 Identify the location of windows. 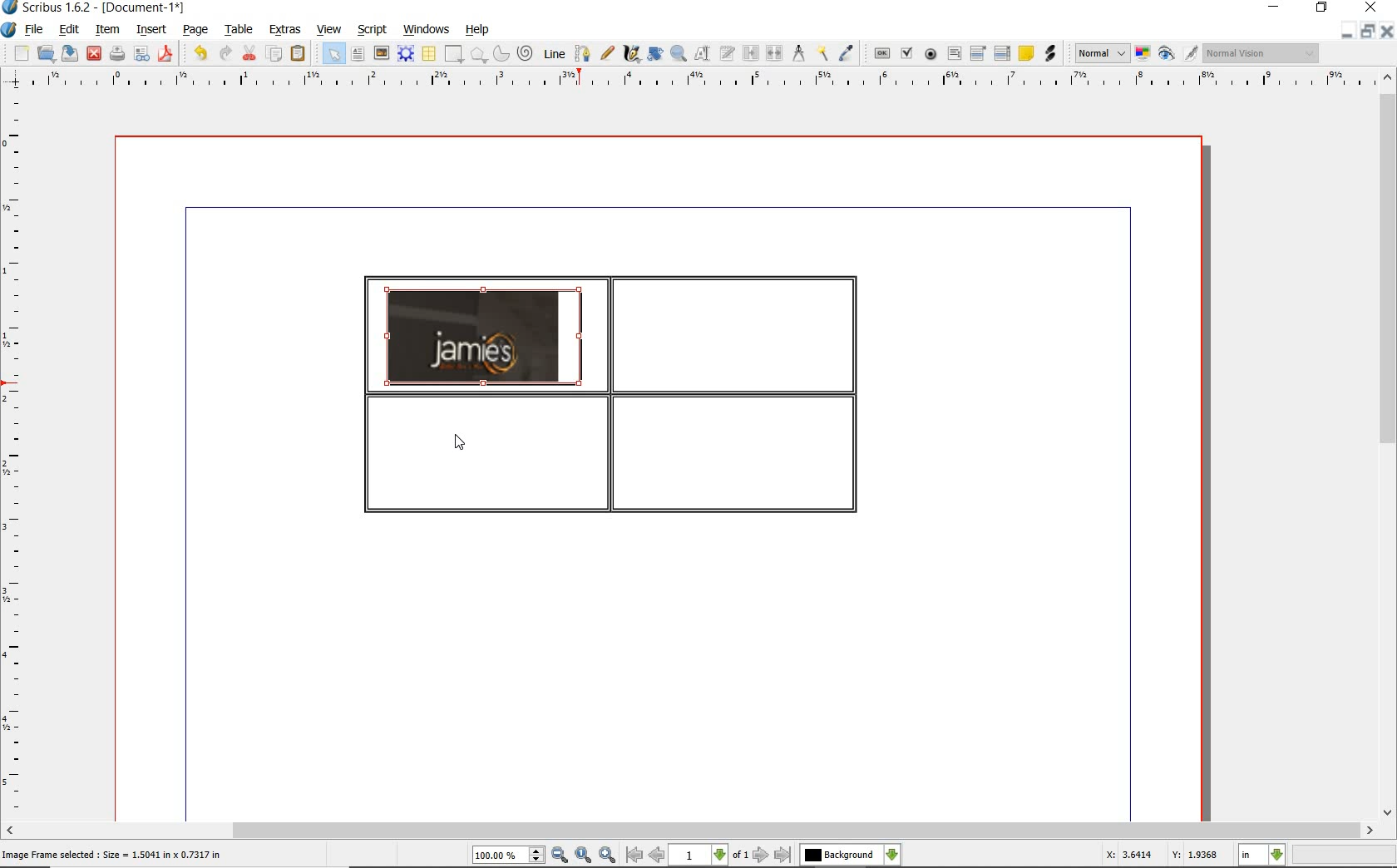
(426, 30).